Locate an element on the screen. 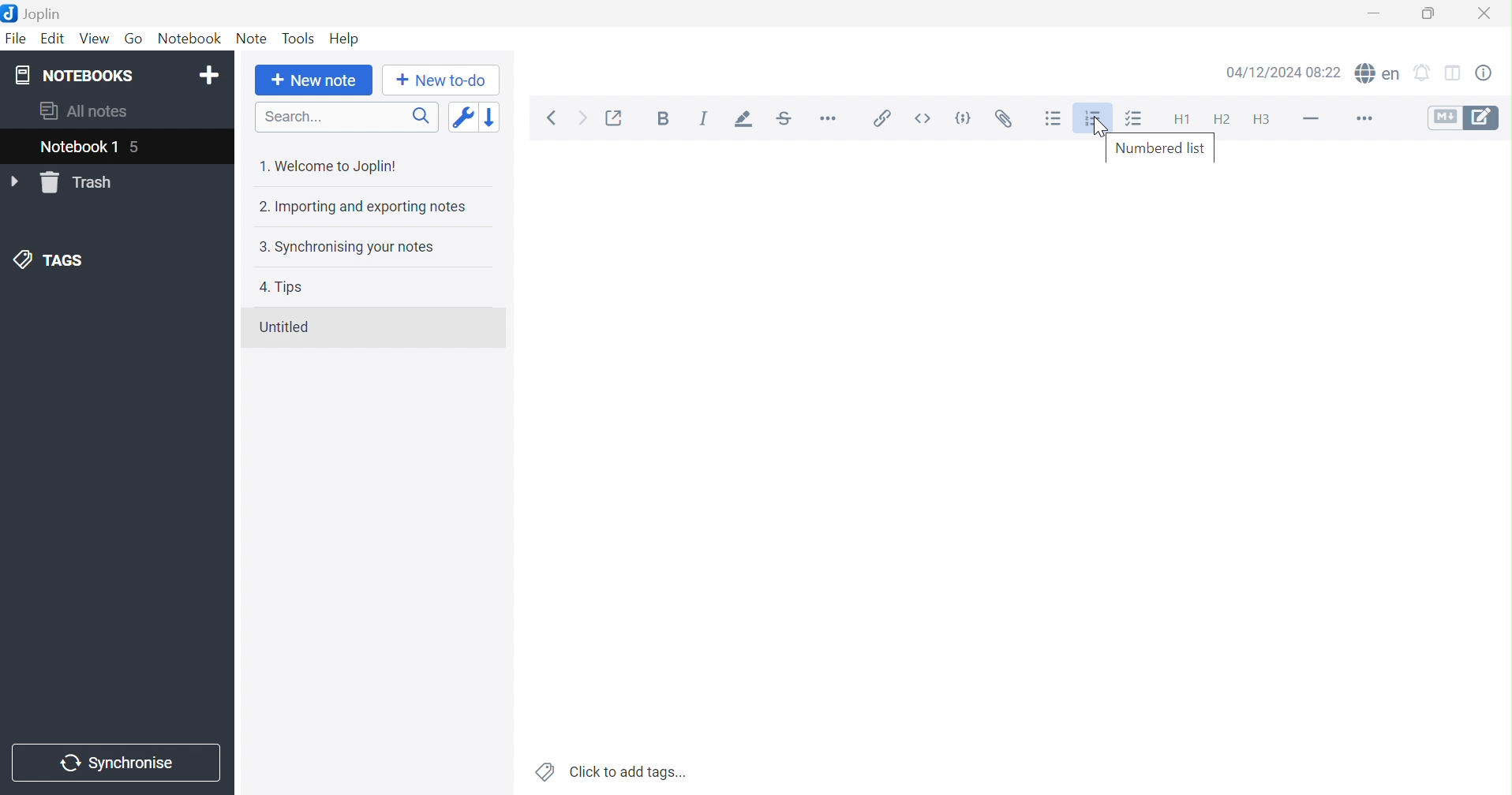 Image resolution: width=1512 pixels, height=795 pixels. More is located at coordinates (1361, 118).